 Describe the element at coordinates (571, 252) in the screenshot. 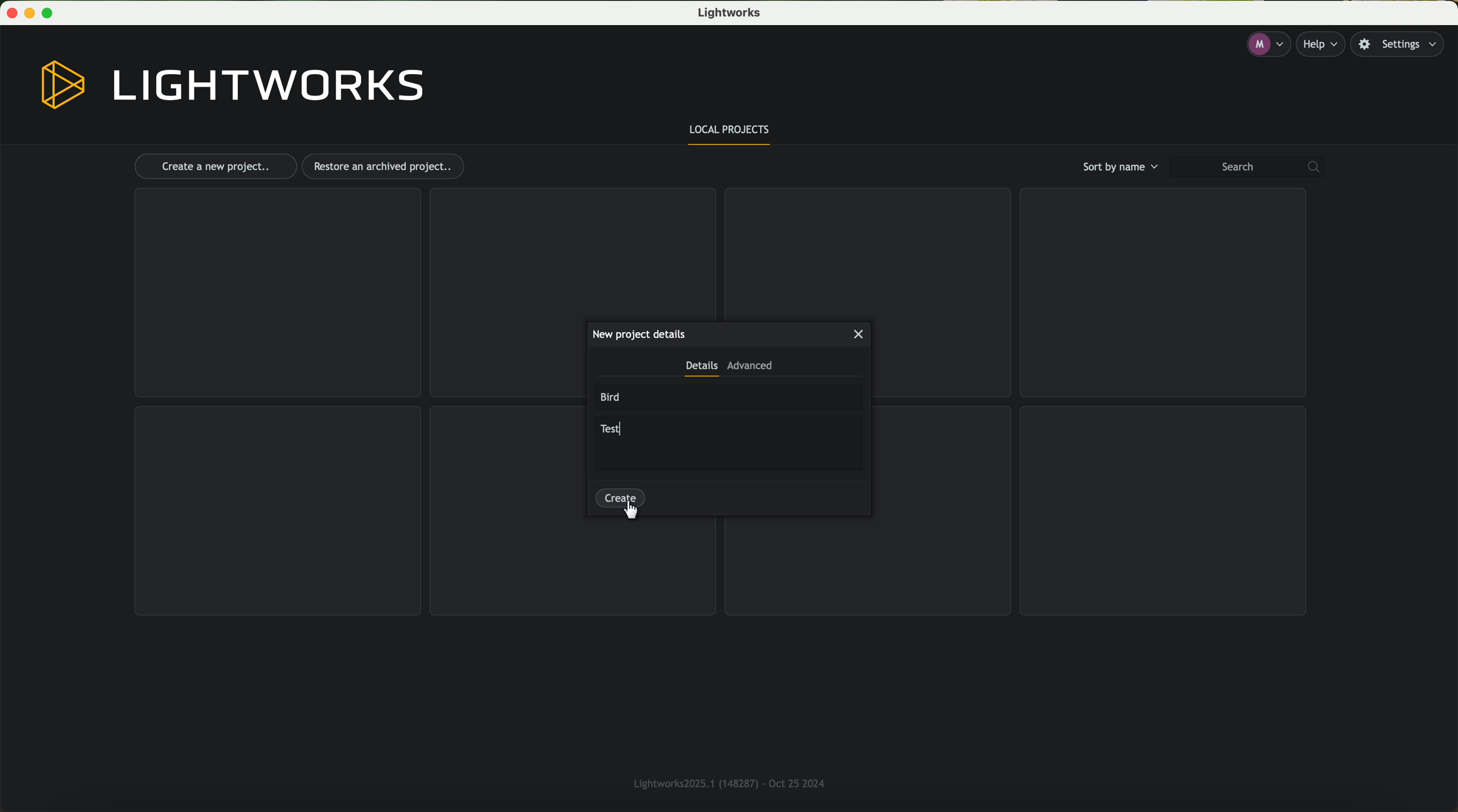

I see `grid` at that location.